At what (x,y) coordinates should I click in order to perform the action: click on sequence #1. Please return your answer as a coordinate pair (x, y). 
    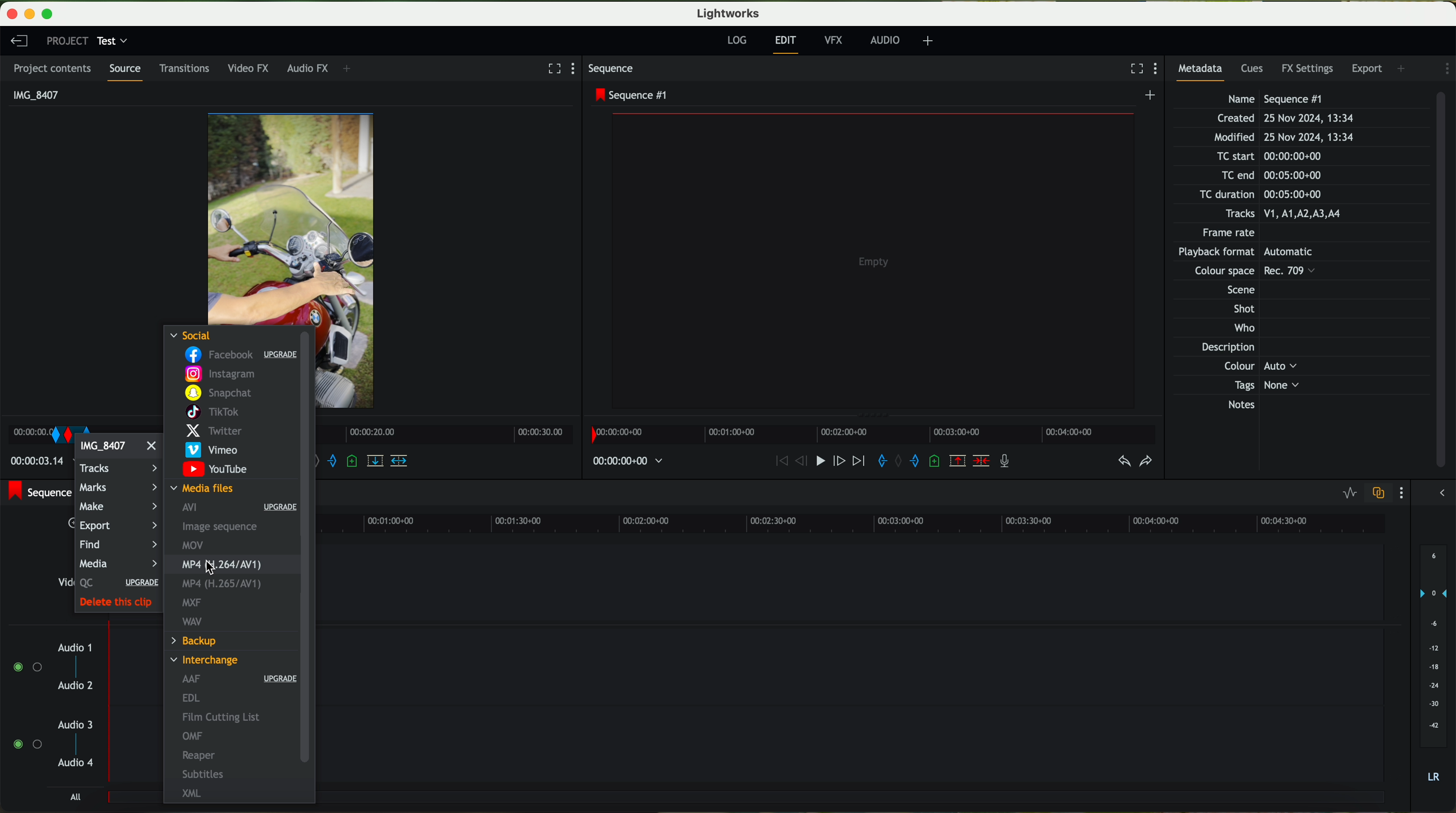
    Looking at the image, I should click on (631, 95).